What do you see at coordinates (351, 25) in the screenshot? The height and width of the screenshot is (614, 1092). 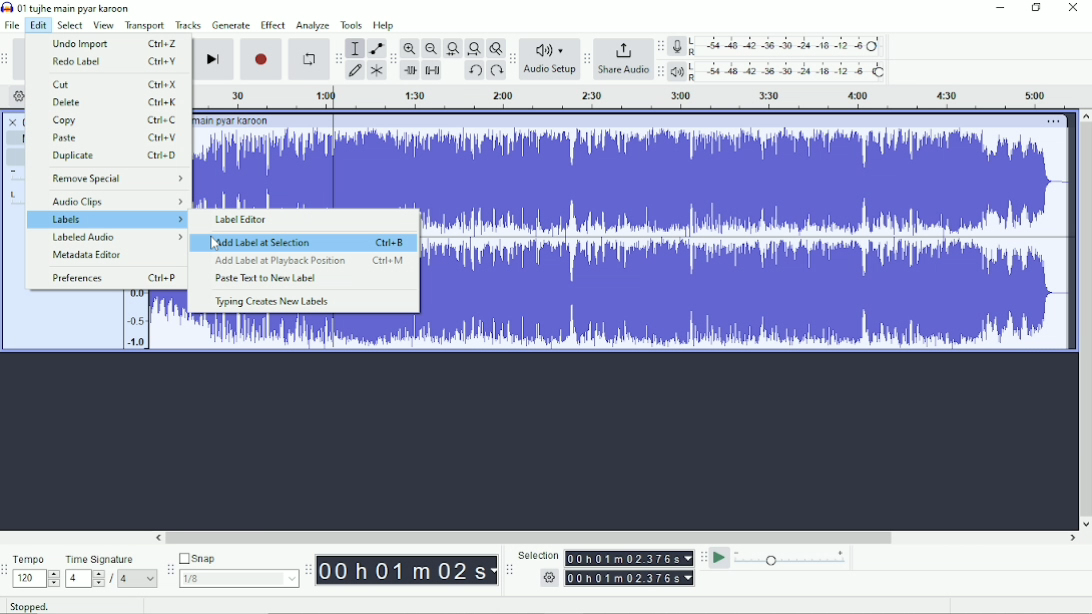 I see `Tools` at bounding box center [351, 25].